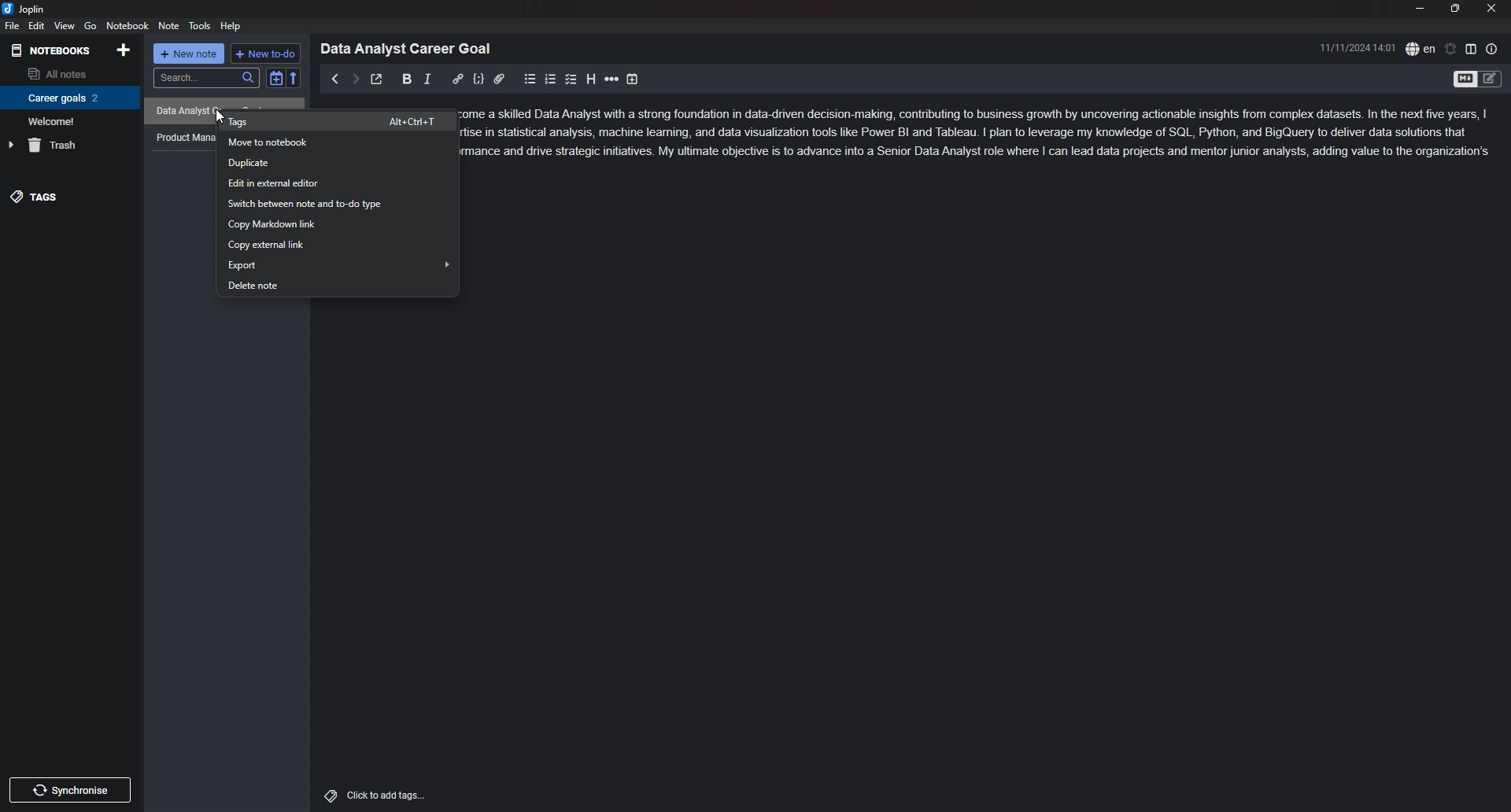 Image resolution: width=1511 pixels, height=812 pixels. What do you see at coordinates (53, 51) in the screenshot?
I see `notebooks` at bounding box center [53, 51].